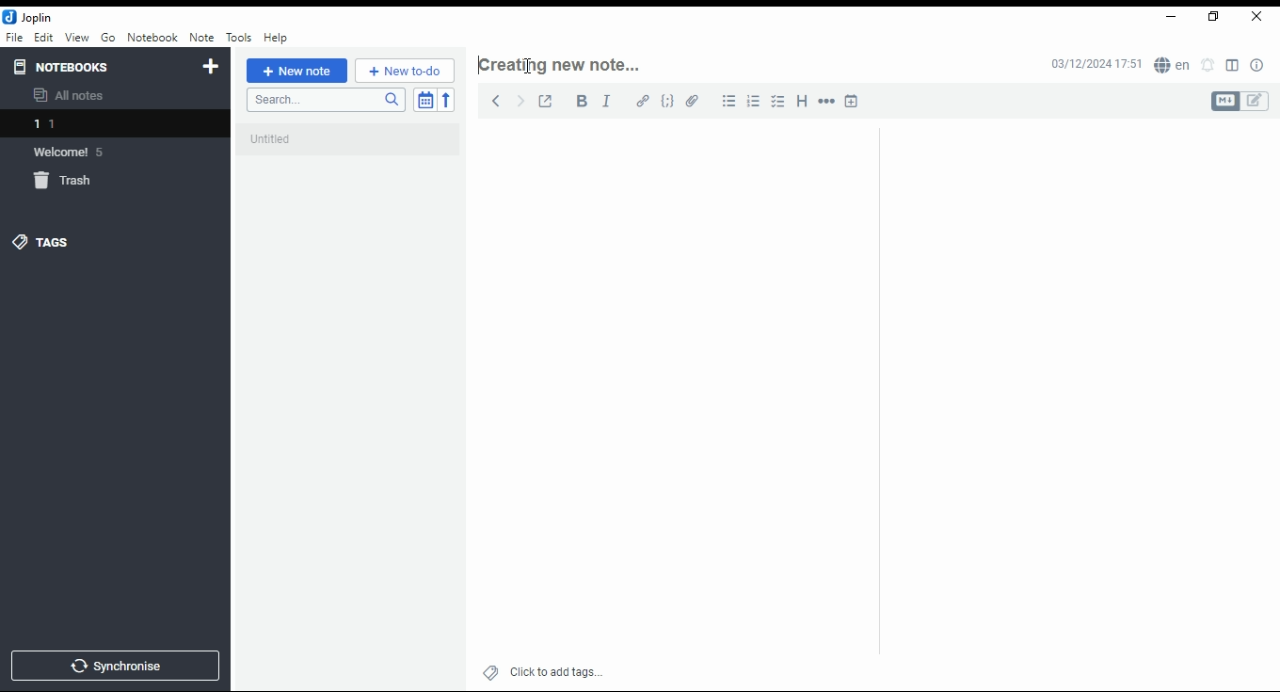 The height and width of the screenshot is (692, 1280). Describe the element at coordinates (44, 37) in the screenshot. I see `edit` at that location.